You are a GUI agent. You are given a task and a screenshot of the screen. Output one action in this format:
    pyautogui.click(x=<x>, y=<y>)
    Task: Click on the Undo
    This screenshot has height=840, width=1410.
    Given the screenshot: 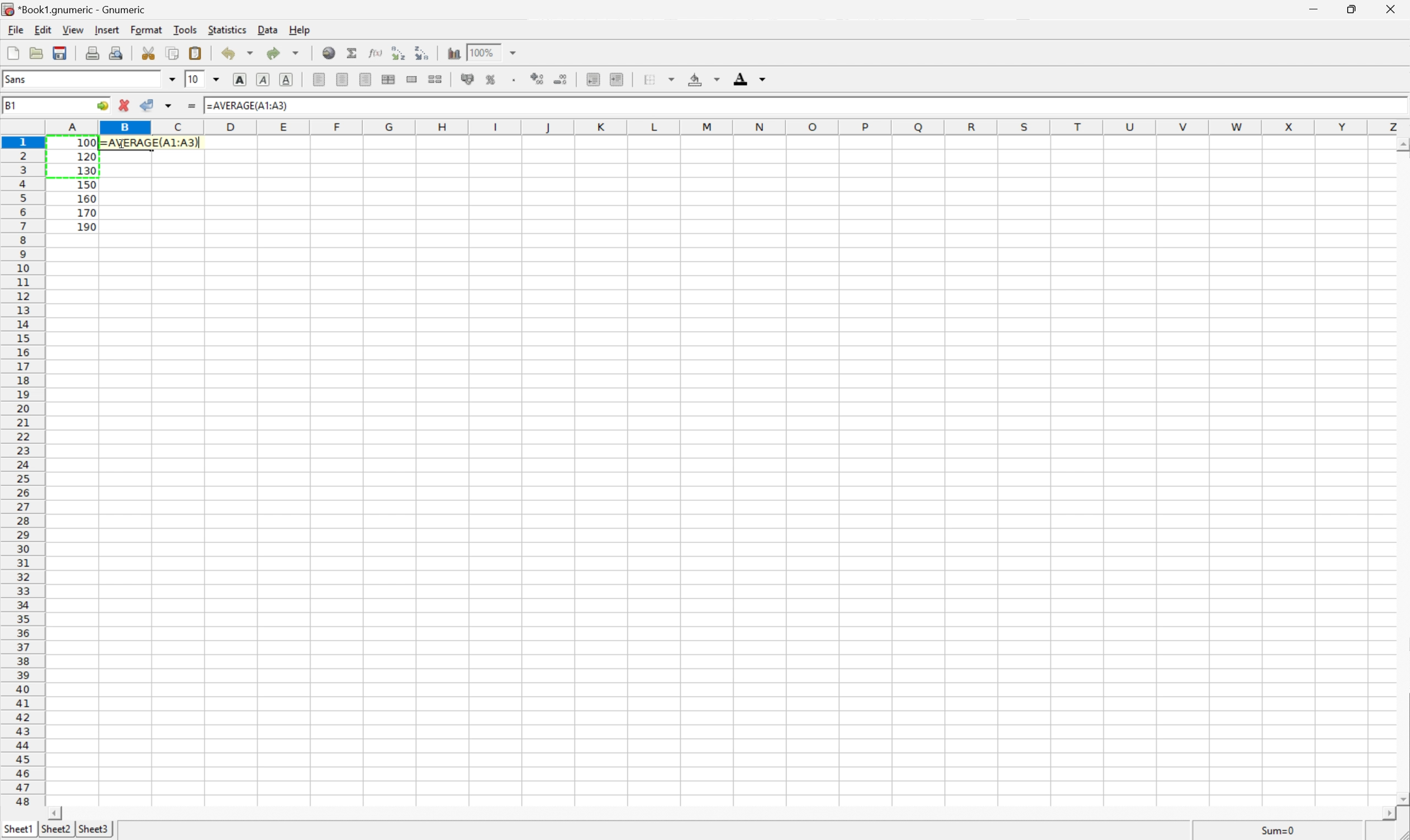 What is the action you would take?
    pyautogui.click(x=236, y=53)
    